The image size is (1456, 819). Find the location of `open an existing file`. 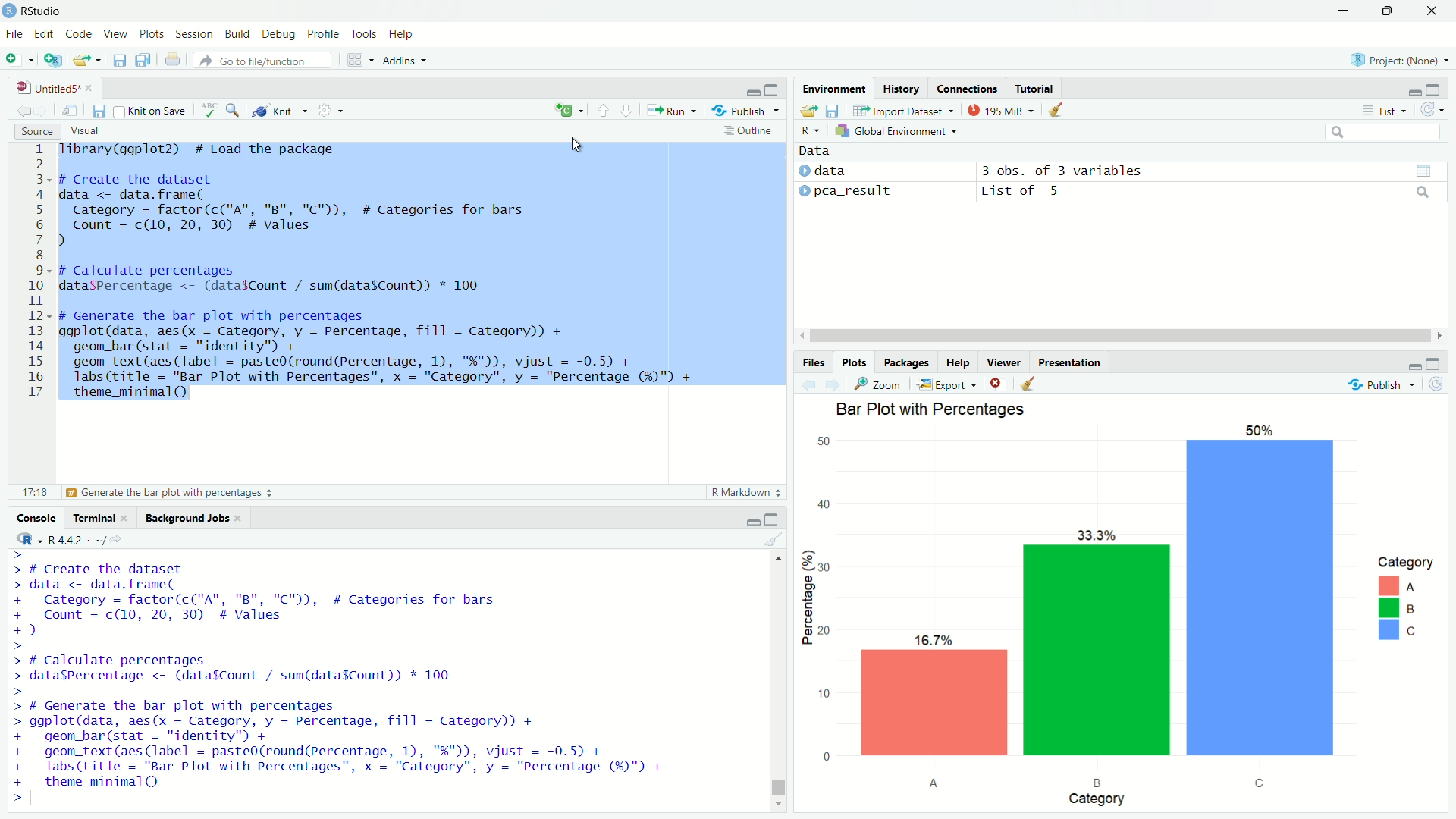

open an existing file is located at coordinates (86, 60).